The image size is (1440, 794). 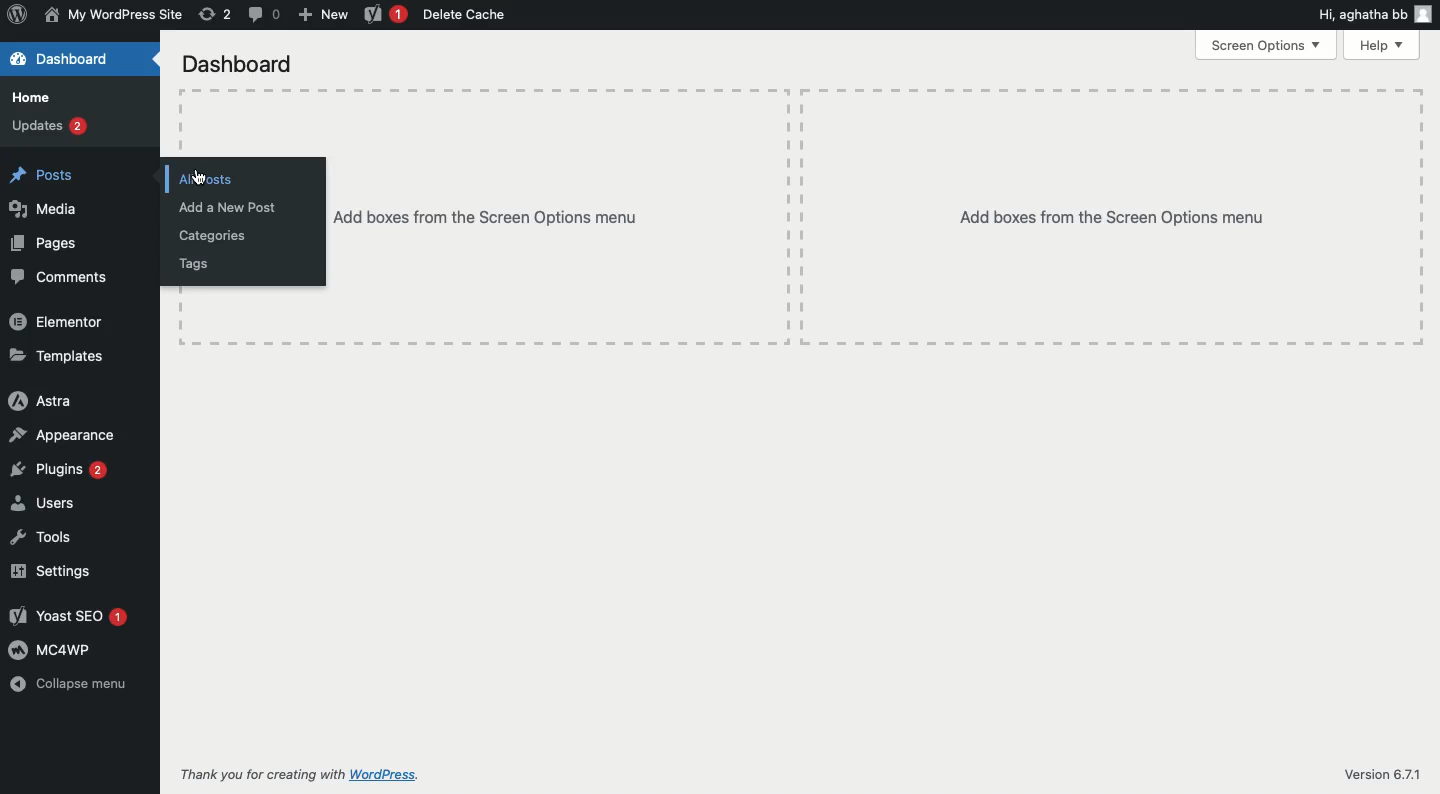 What do you see at coordinates (1372, 15) in the screenshot?
I see `Hi user` at bounding box center [1372, 15].